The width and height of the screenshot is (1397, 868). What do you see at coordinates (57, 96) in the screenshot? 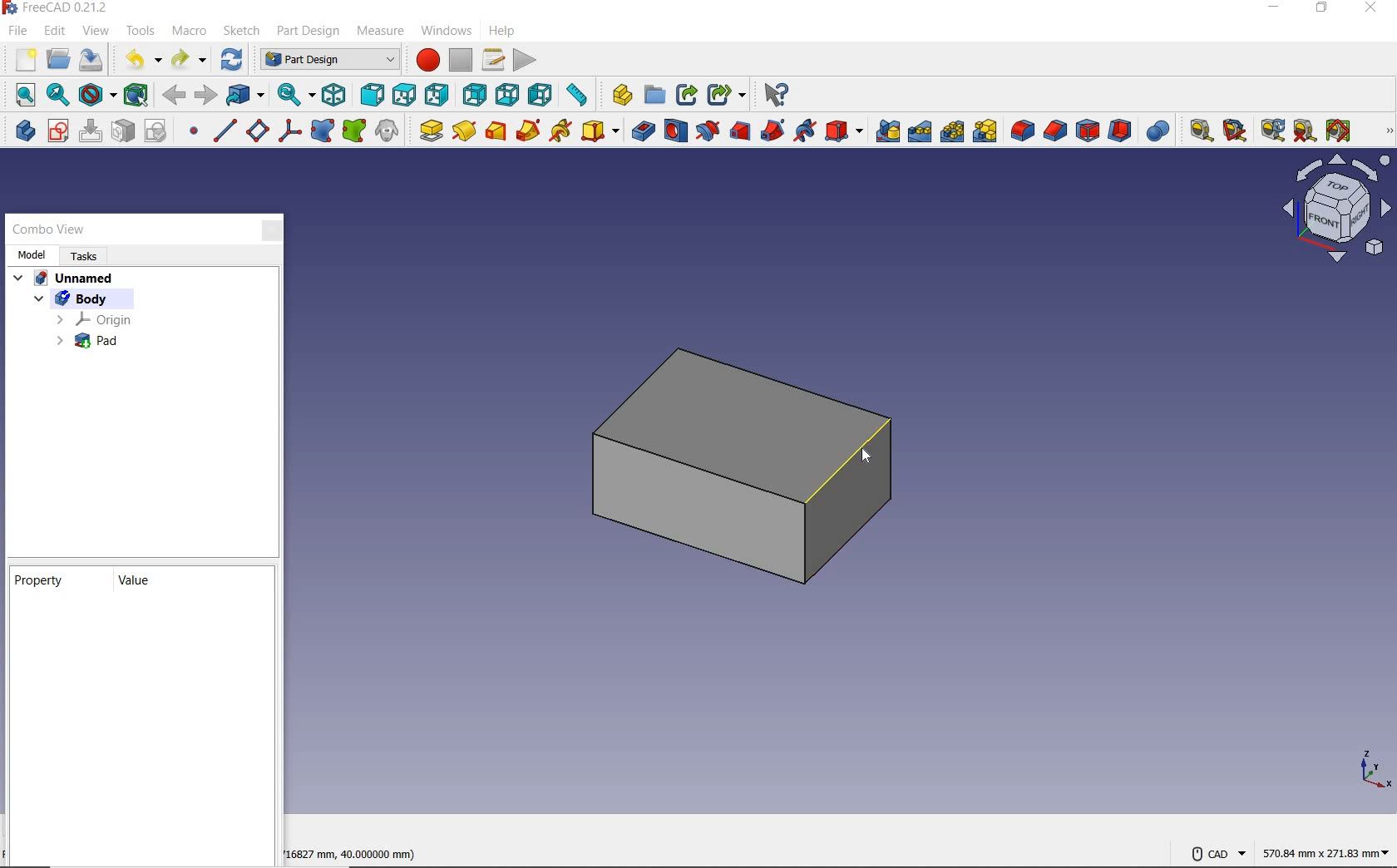
I see `fit selection` at bounding box center [57, 96].